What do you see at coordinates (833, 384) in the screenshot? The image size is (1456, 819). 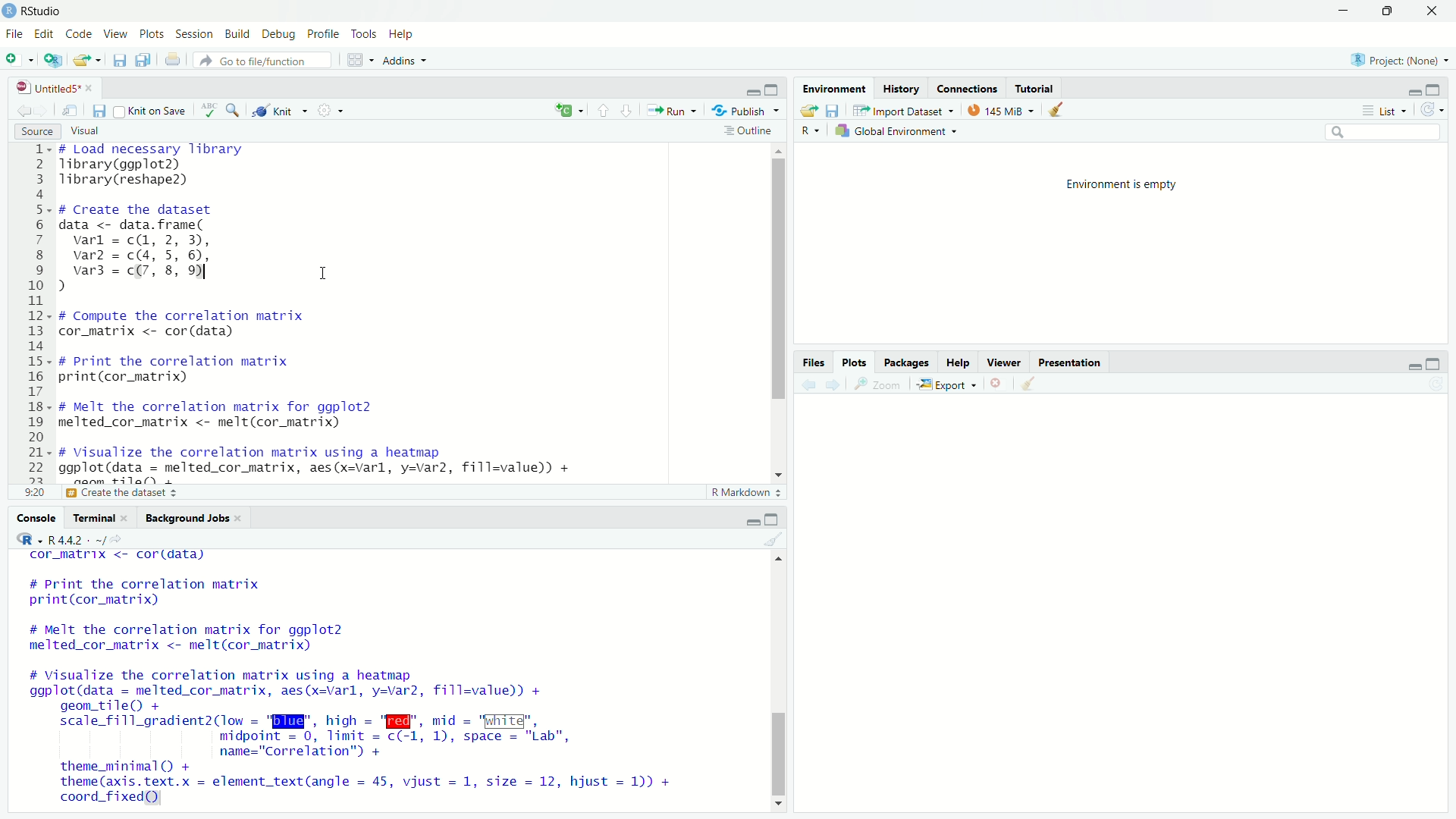 I see `next plot` at bounding box center [833, 384].